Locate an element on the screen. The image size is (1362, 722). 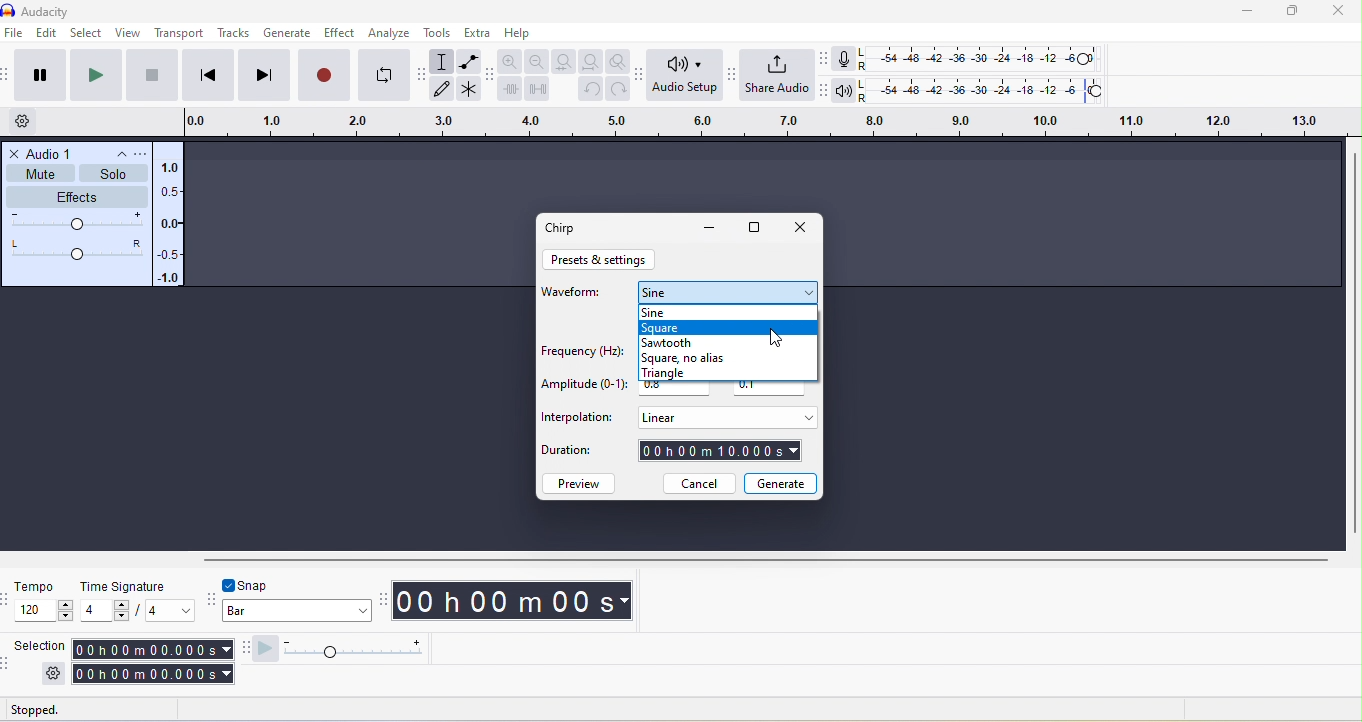
amplitude is located at coordinates (171, 224).